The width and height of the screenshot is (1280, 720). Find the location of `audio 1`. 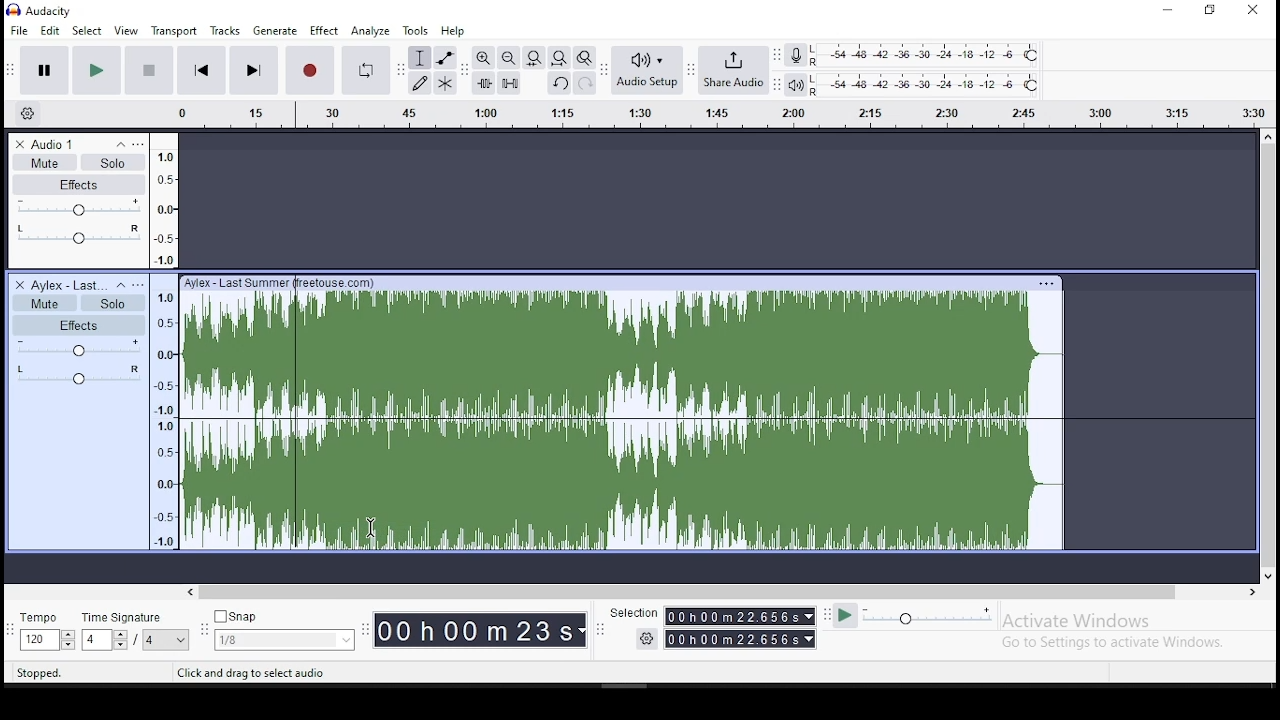

audio 1 is located at coordinates (53, 144).